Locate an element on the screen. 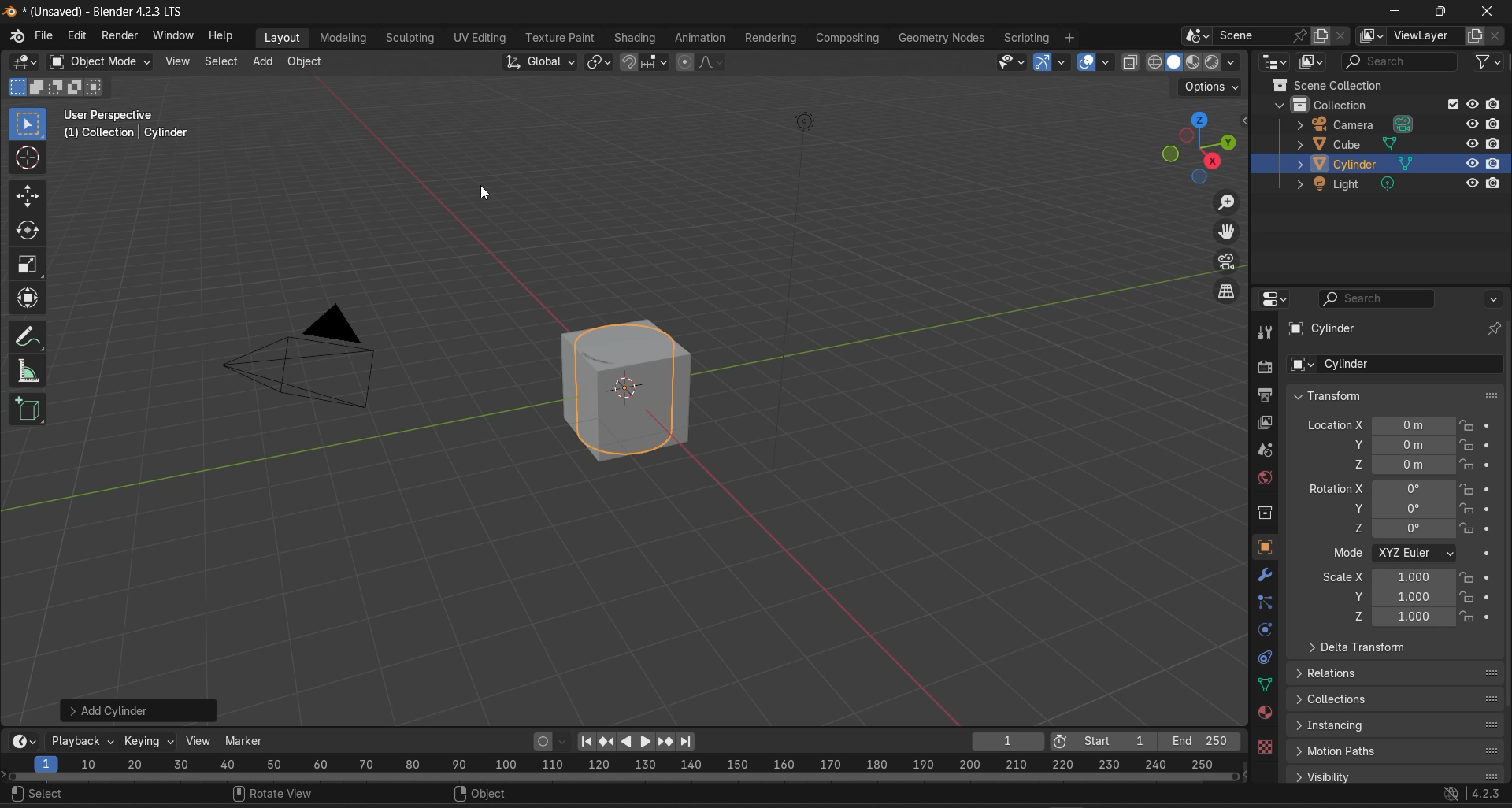 The height and width of the screenshot is (808, 1512). jump to endpoint is located at coordinates (589, 742).